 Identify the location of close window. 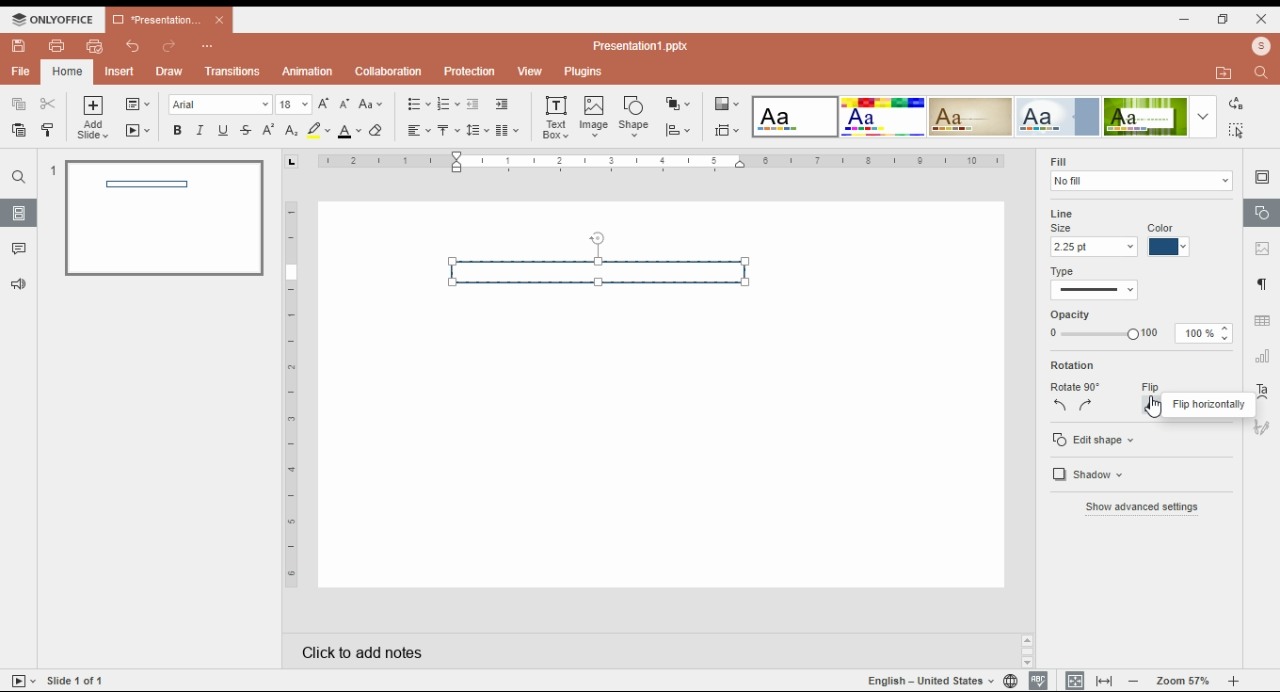
(1260, 18).